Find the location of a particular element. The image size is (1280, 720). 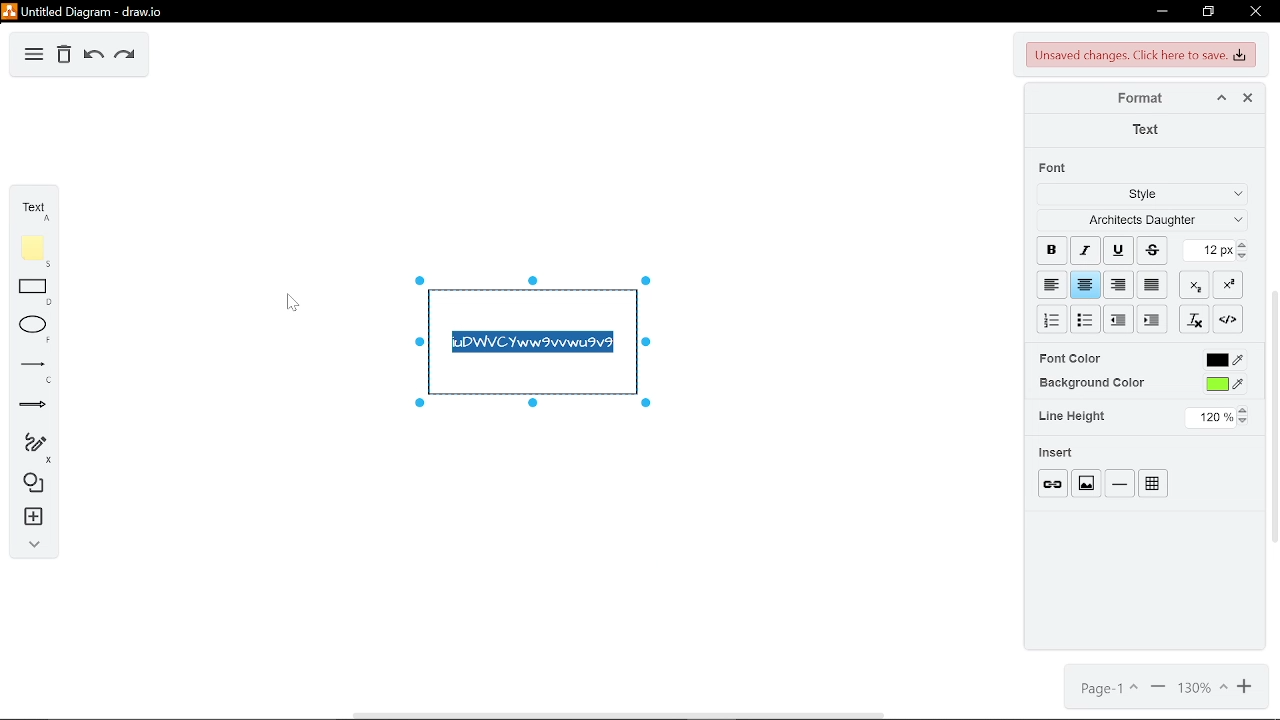

Horizontal scrollbar is located at coordinates (618, 715).